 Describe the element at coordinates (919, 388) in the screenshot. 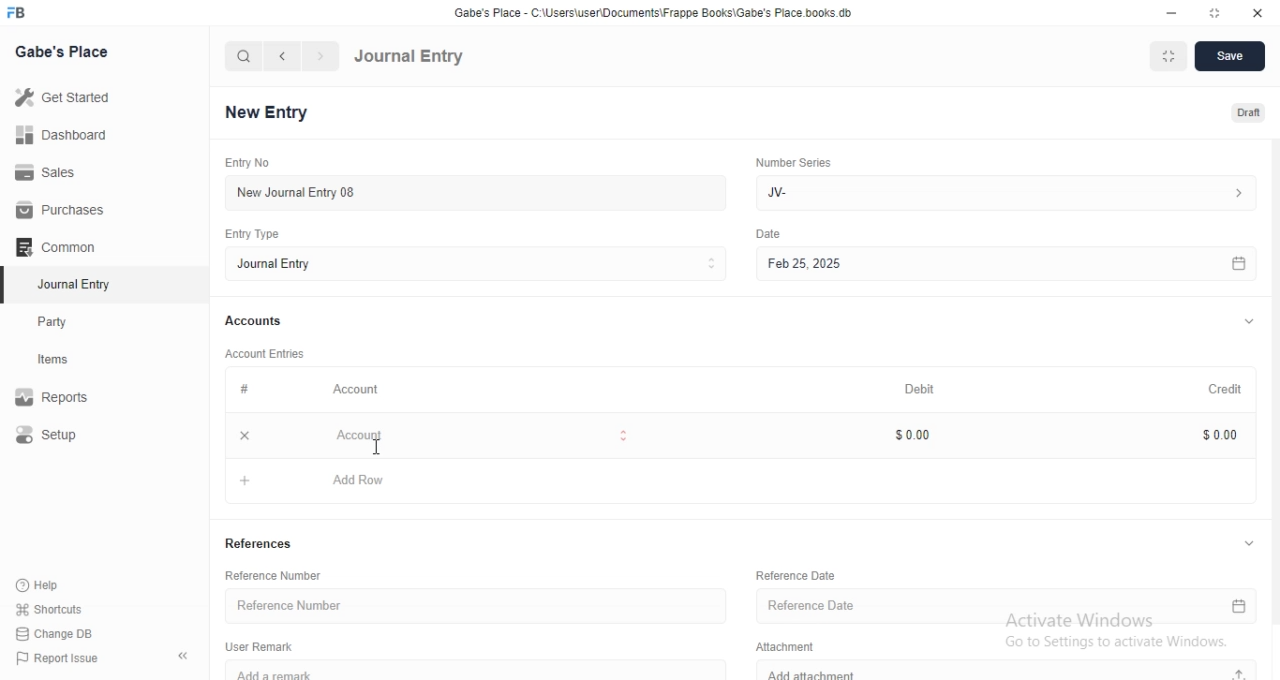

I see `Debit` at that location.